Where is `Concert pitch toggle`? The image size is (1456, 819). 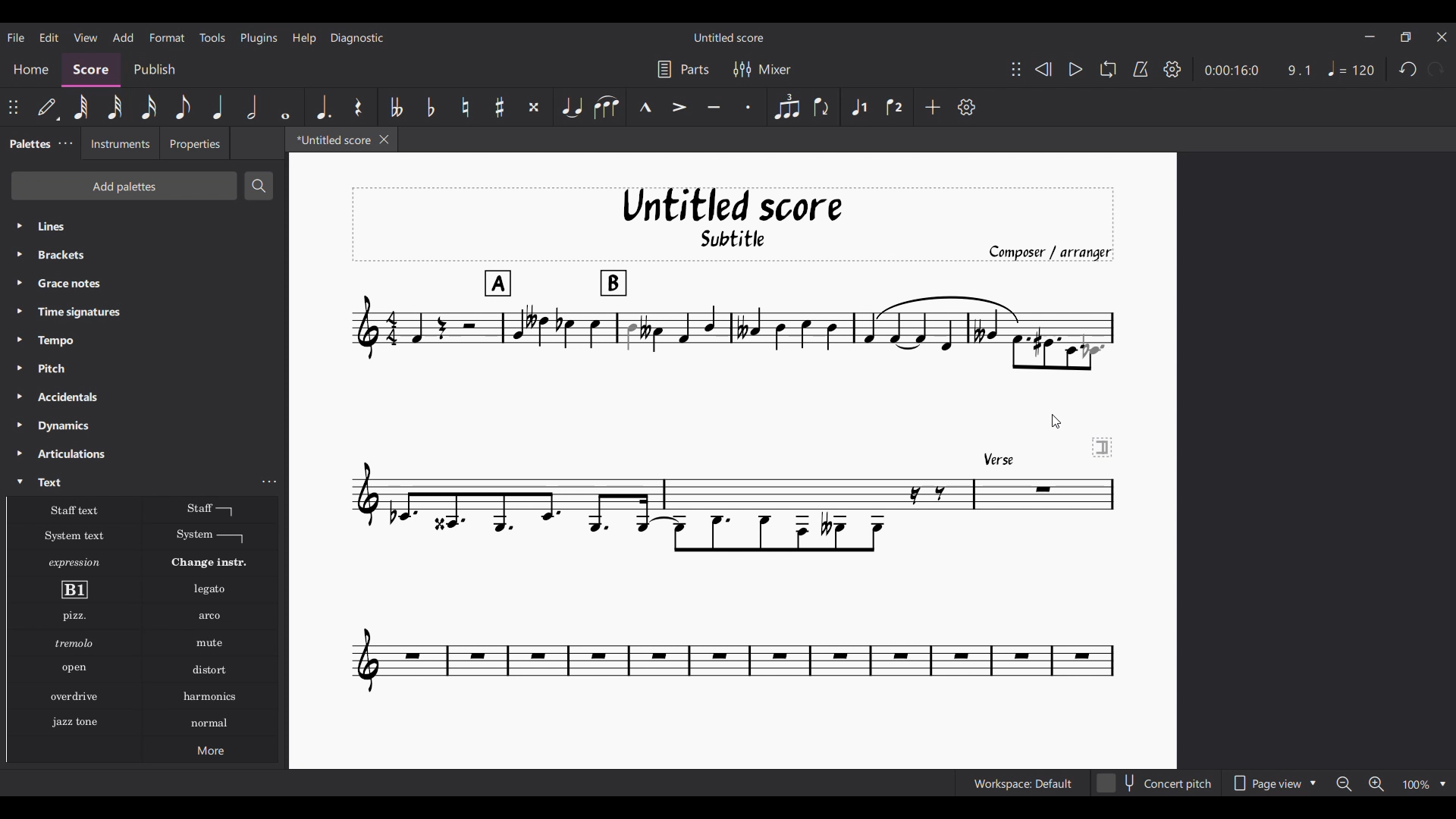
Concert pitch toggle is located at coordinates (1155, 783).